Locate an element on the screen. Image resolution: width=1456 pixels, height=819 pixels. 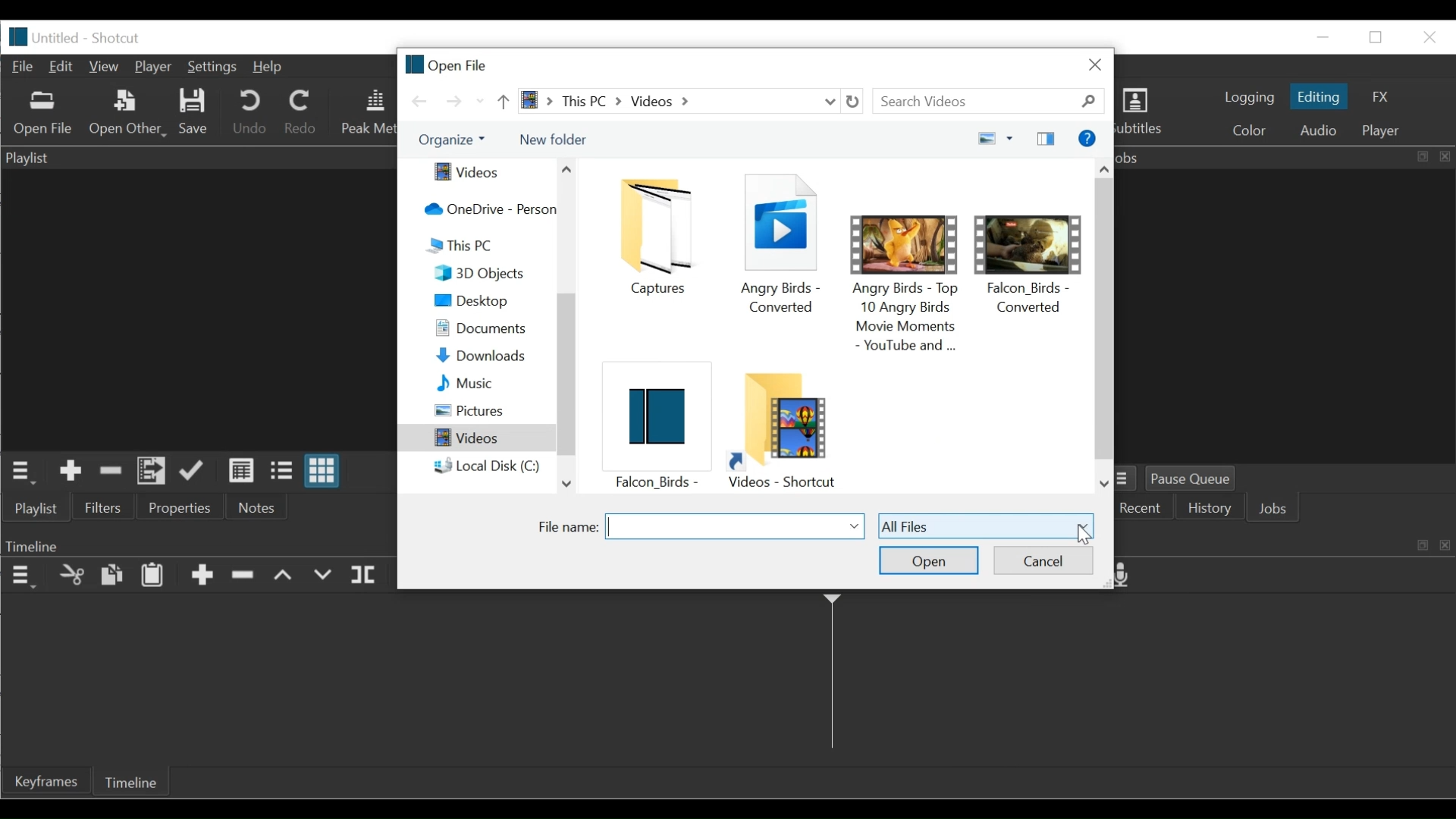
File name is located at coordinates (565, 527).